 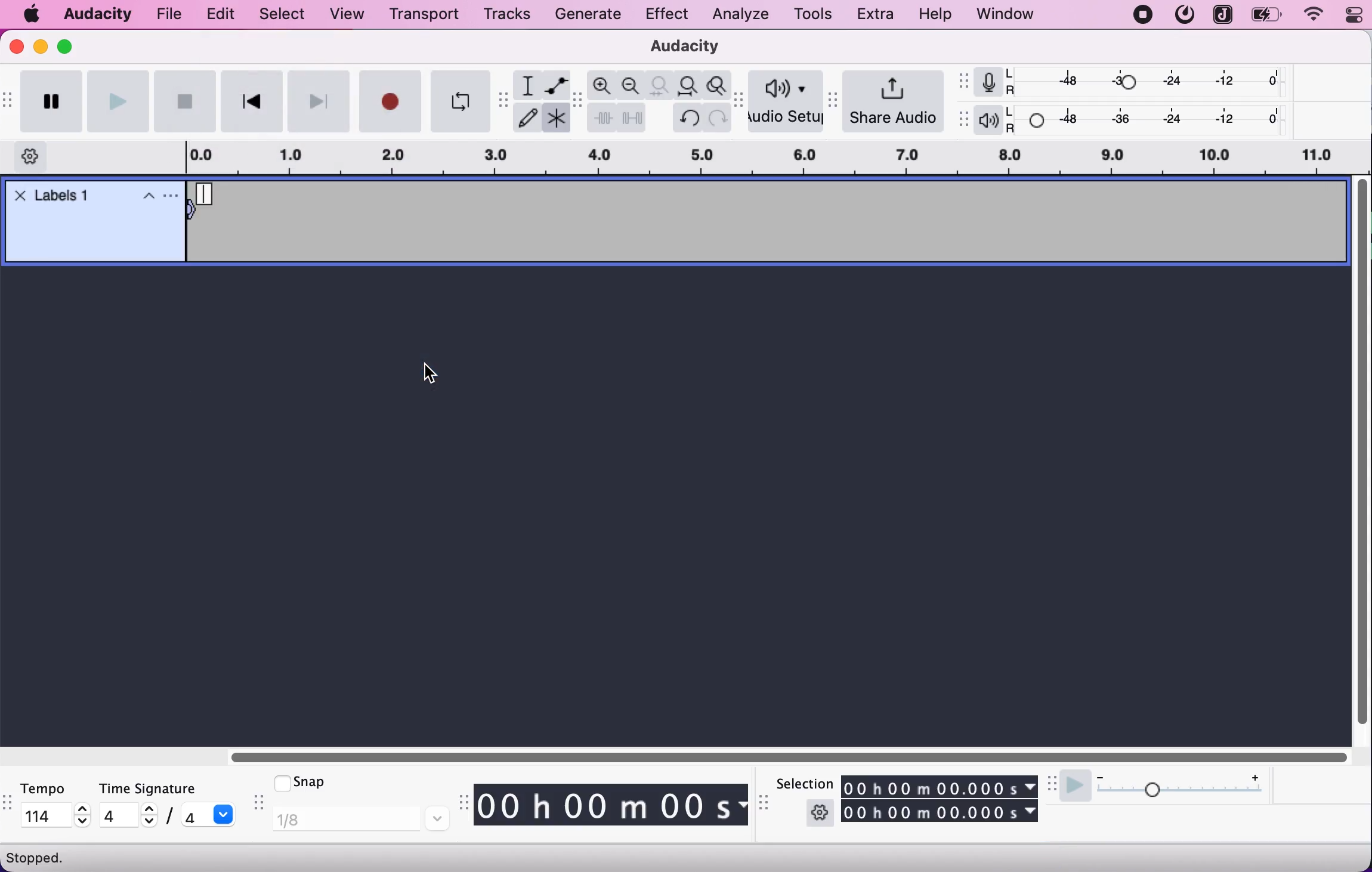 I want to click on skip to end, so click(x=319, y=101).